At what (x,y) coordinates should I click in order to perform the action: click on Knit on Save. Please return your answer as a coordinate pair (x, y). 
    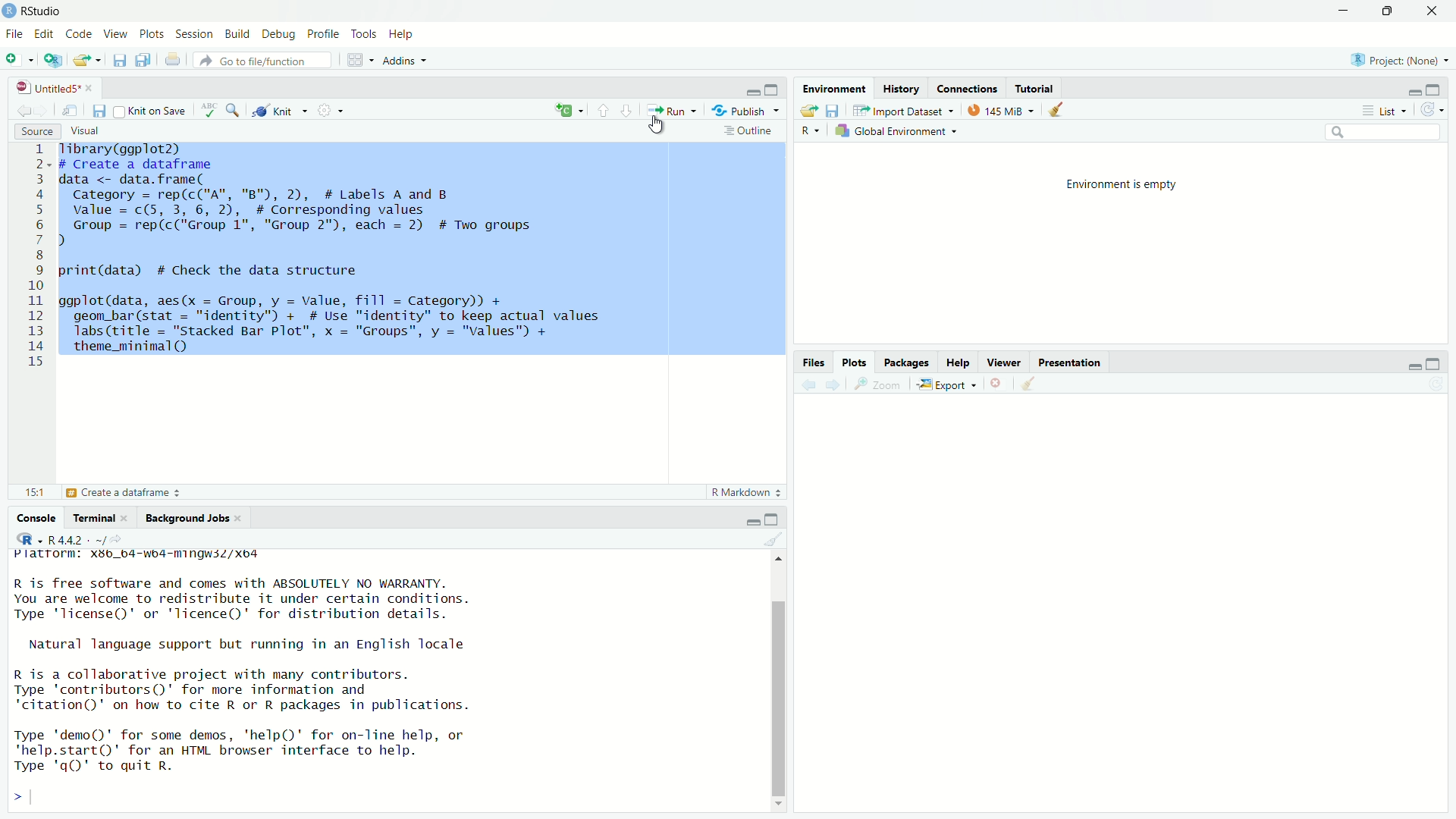
    Looking at the image, I should click on (152, 110).